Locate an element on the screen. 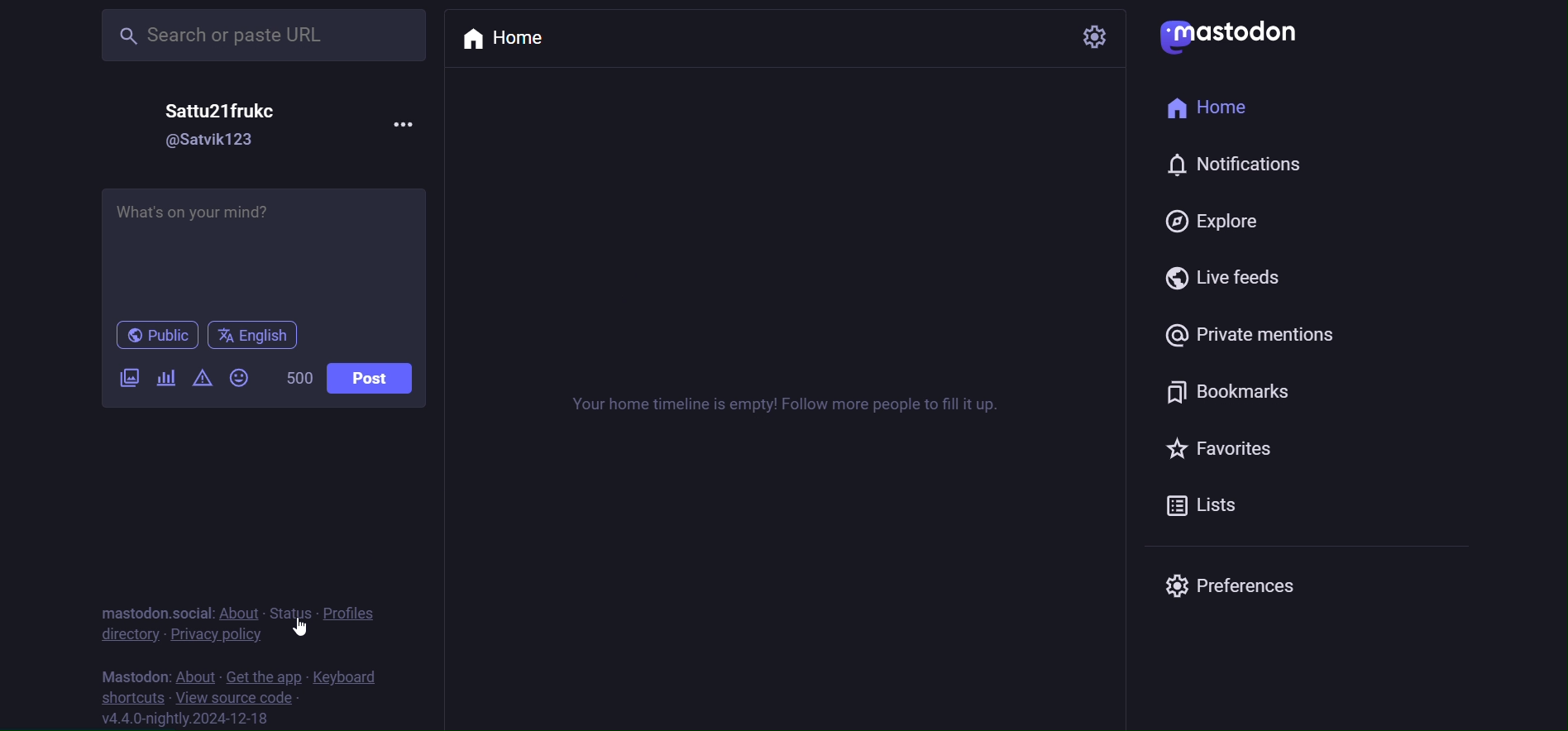 This screenshot has height=731, width=1568. @username is located at coordinates (213, 144).